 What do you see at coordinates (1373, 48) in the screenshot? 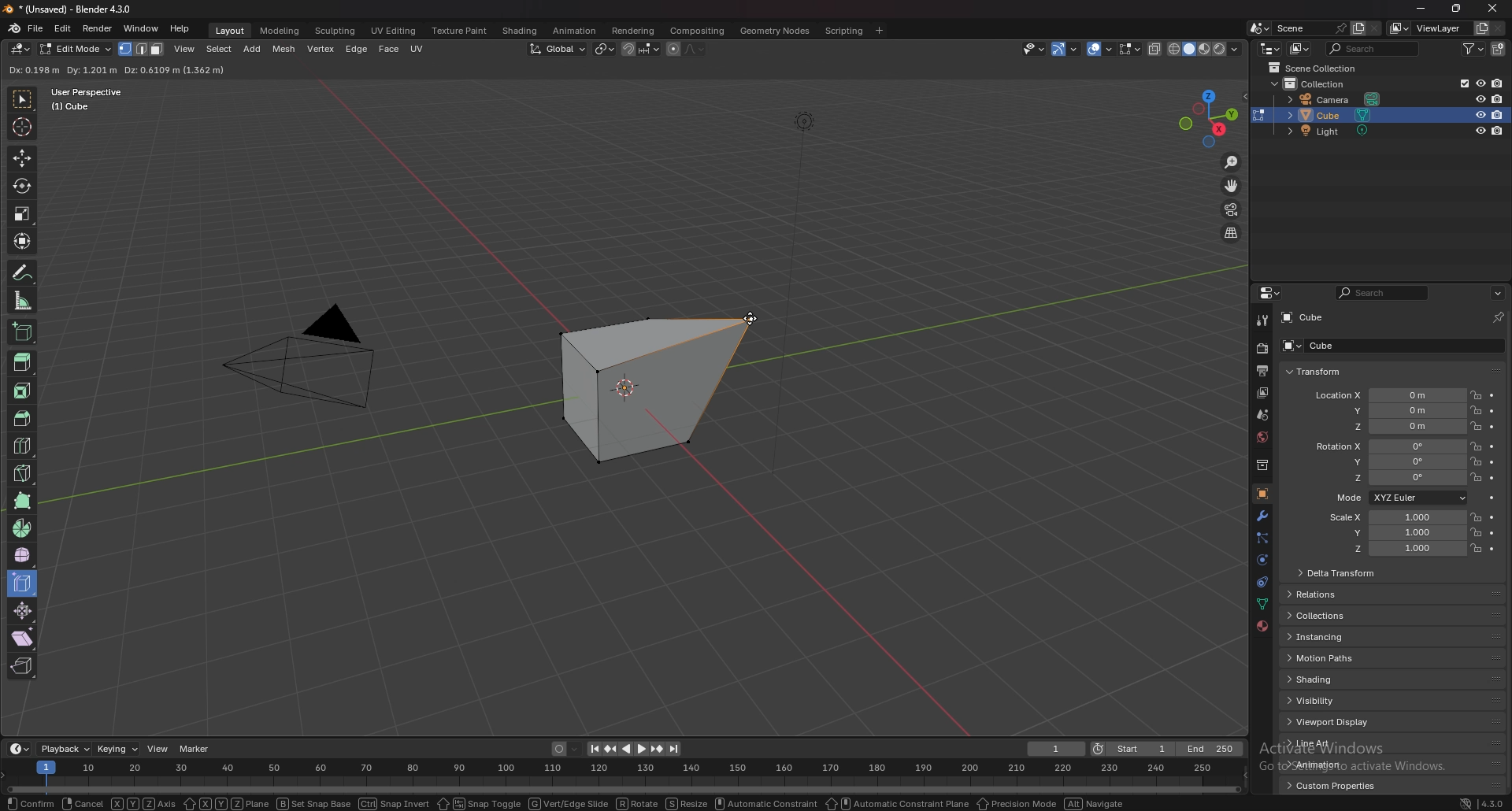
I see `search` at bounding box center [1373, 48].